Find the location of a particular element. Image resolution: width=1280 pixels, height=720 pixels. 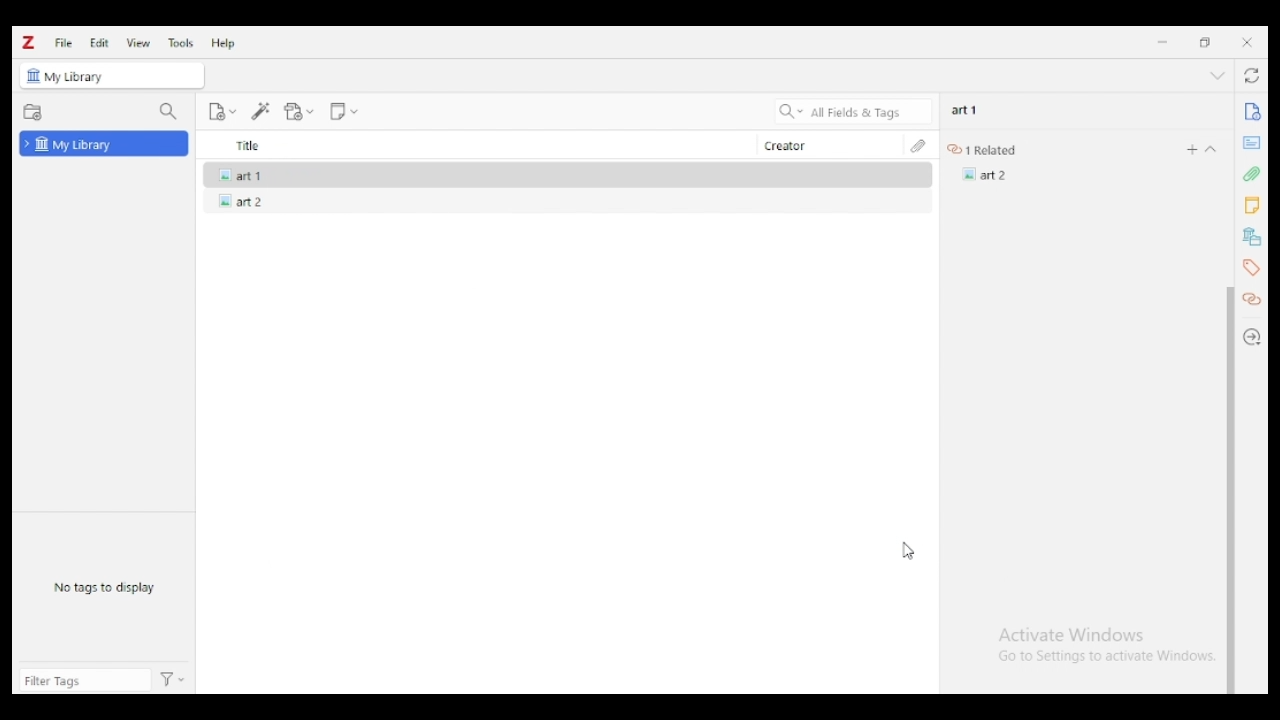

creator is located at coordinates (826, 145).